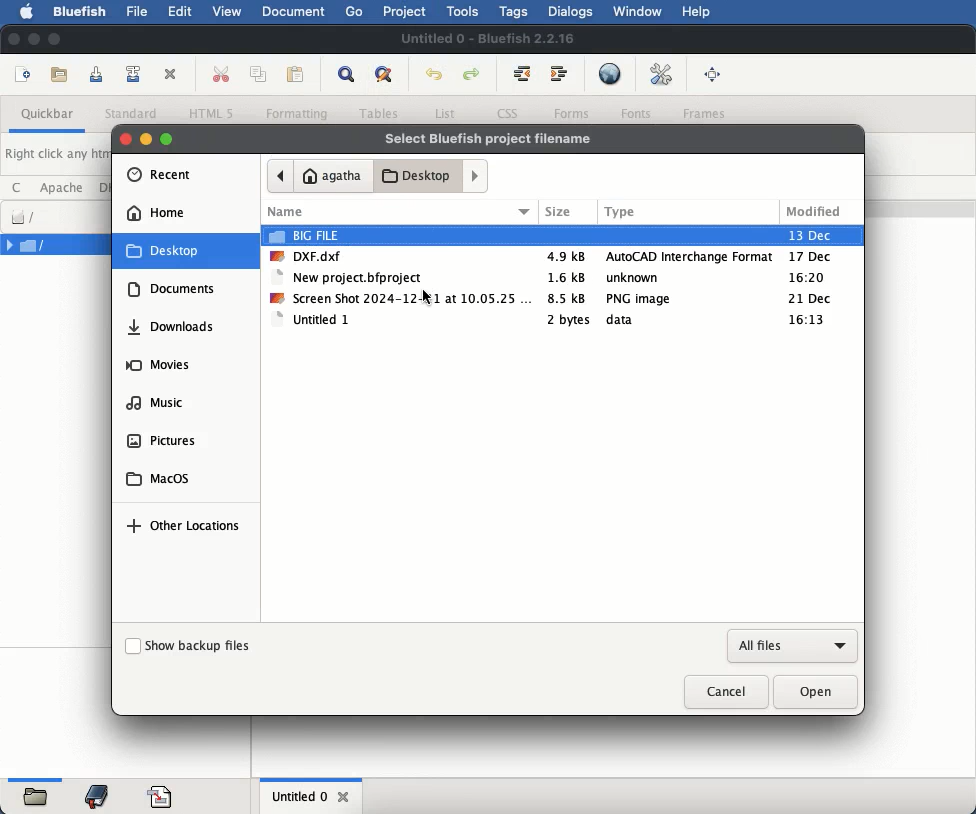  What do you see at coordinates (109, 187) in the screenshot?
I see `dhtml` at bounding box center [109, 187].